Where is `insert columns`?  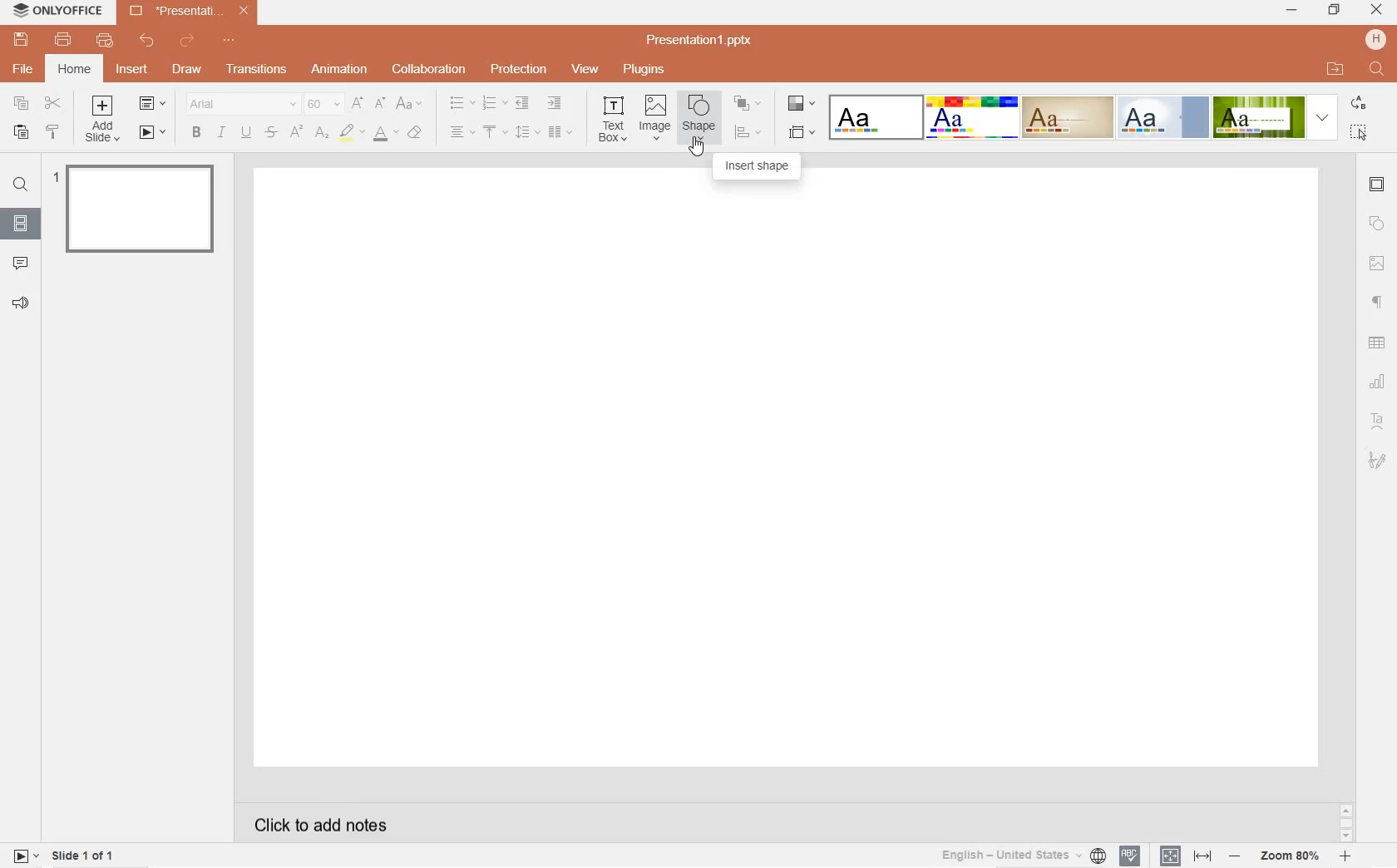
insert columns is located at coordinates (560, 131).